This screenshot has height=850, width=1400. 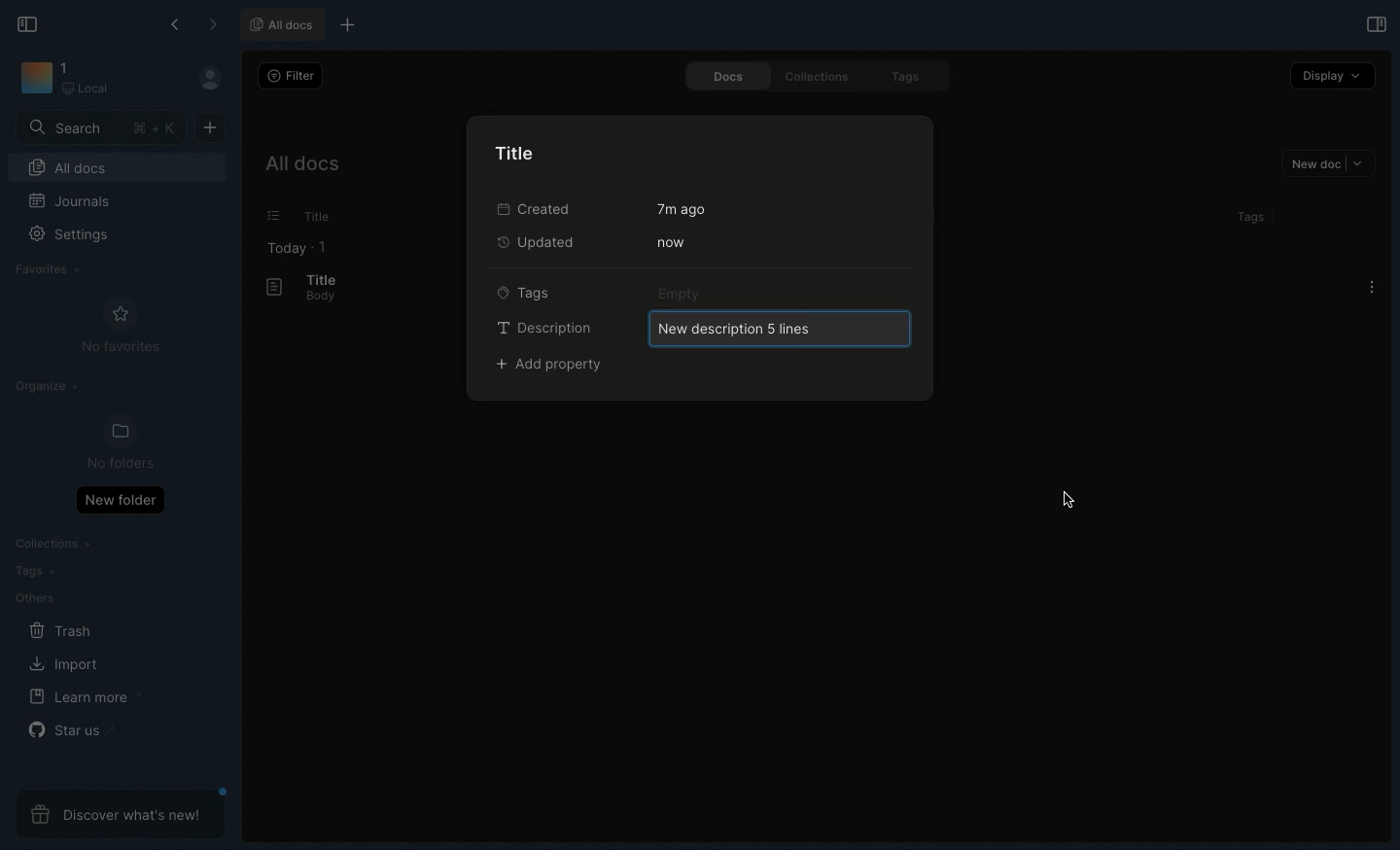 I want to click on Lists, so click(x=267, y=216).